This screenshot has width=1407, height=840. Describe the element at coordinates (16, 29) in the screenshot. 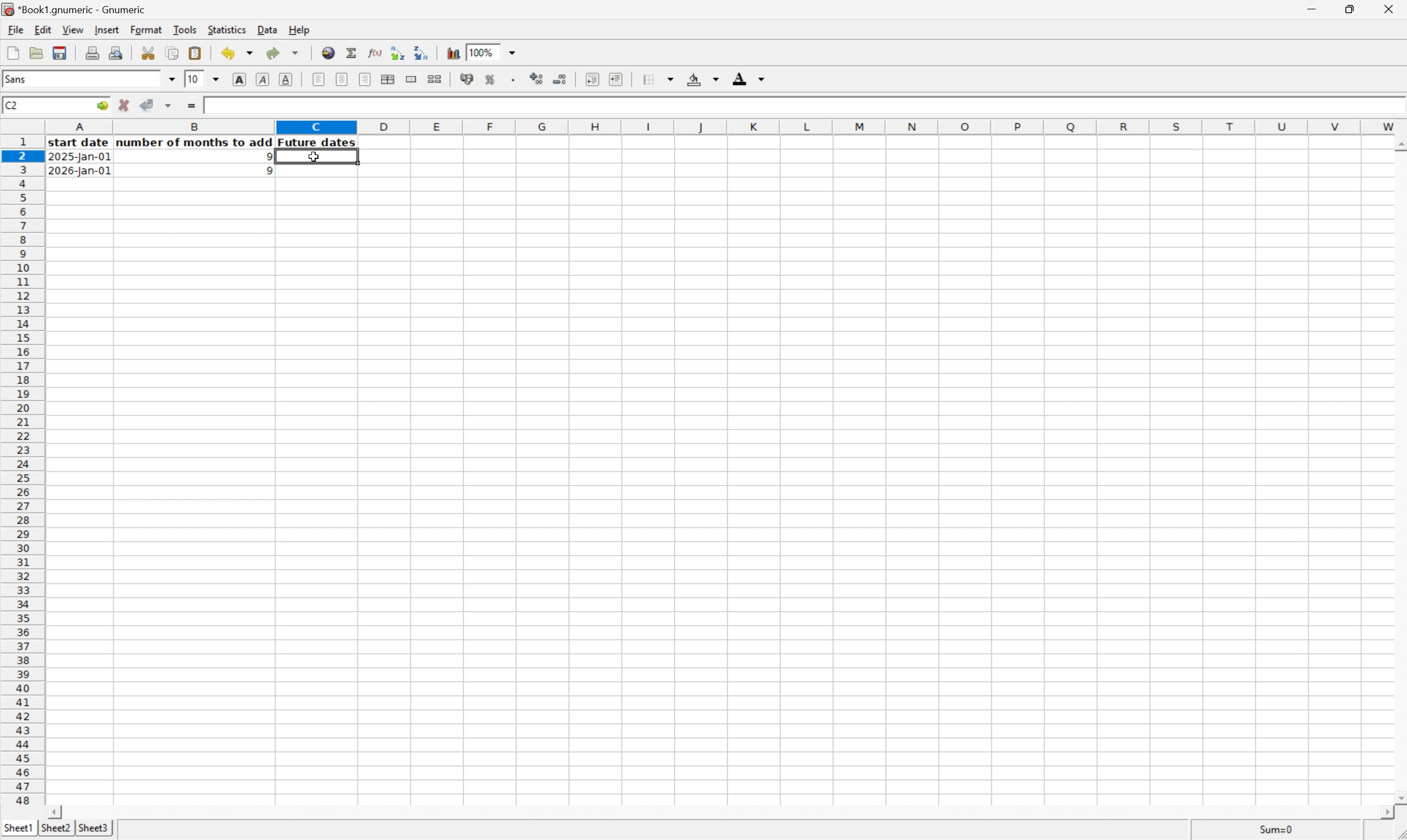

I see `File` at that location.